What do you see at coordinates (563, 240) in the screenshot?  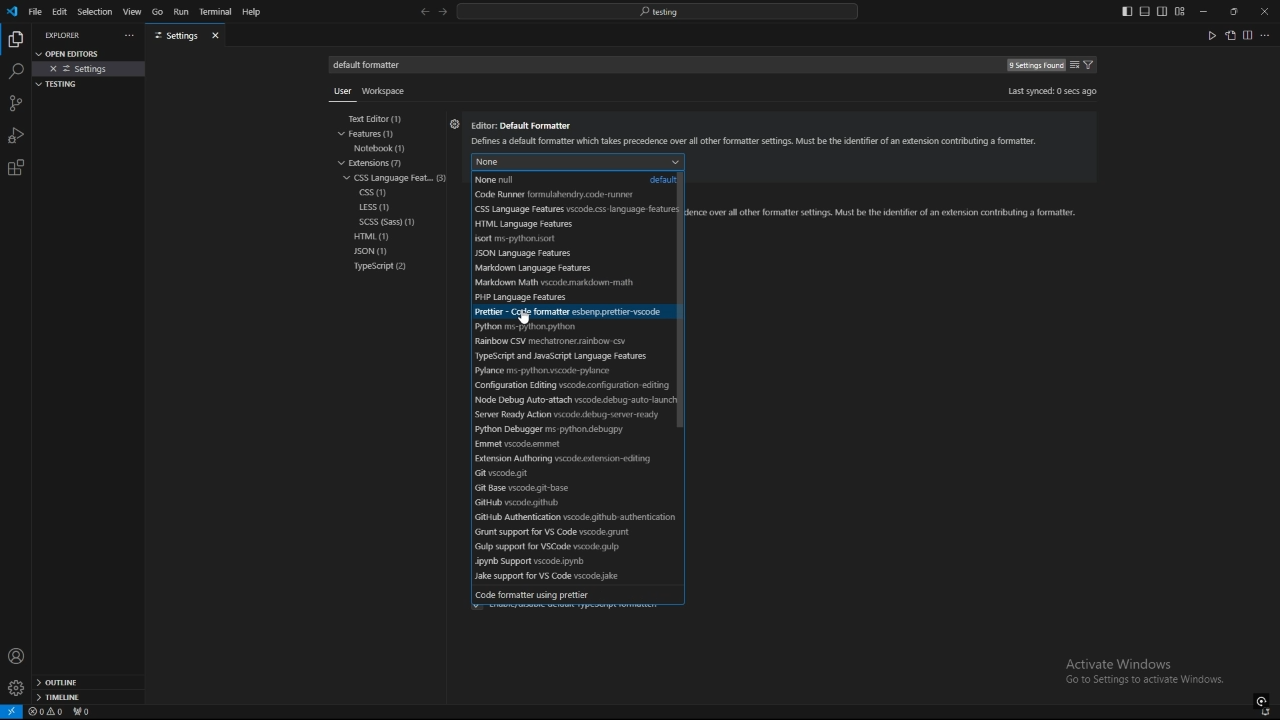 I see `isort` at bounding box center [563, 240].